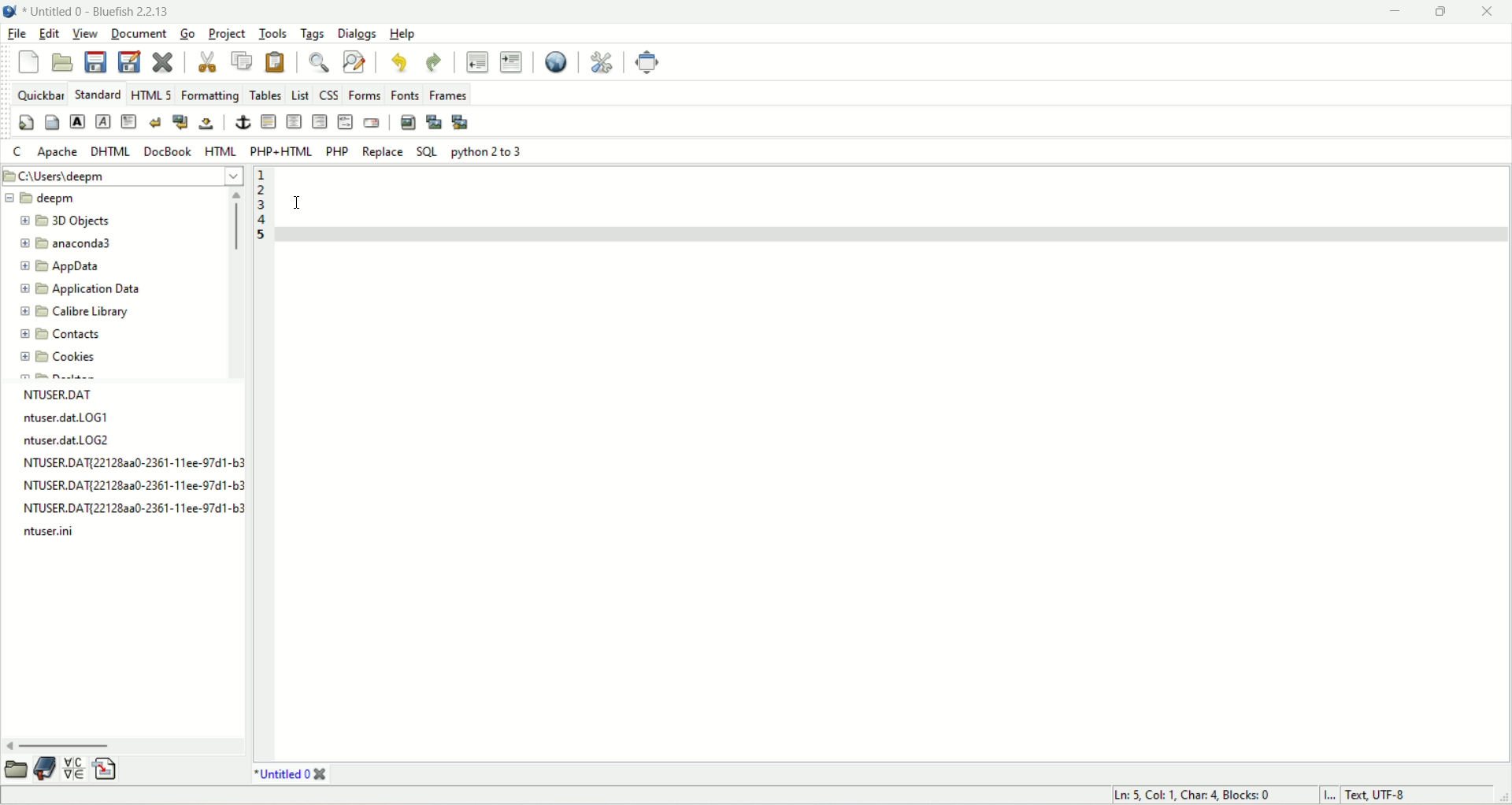 Image resolution: width=1512 pixels, height=805 pixels. Describe the element at coordinates (16, 771) in the screenshot. I see `open` at that location.